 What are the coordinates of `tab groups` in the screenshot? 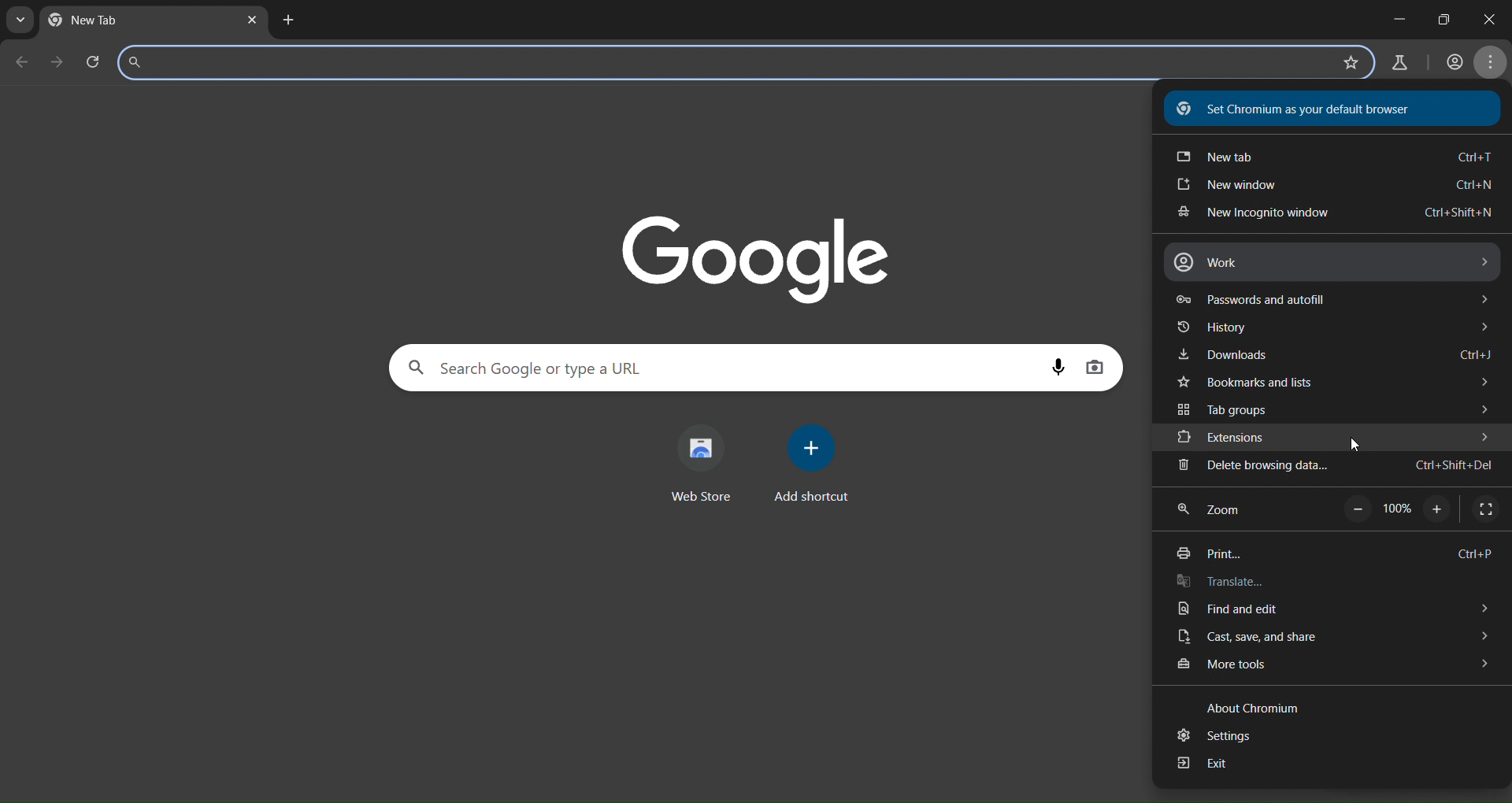 It's located at (1331, 410).